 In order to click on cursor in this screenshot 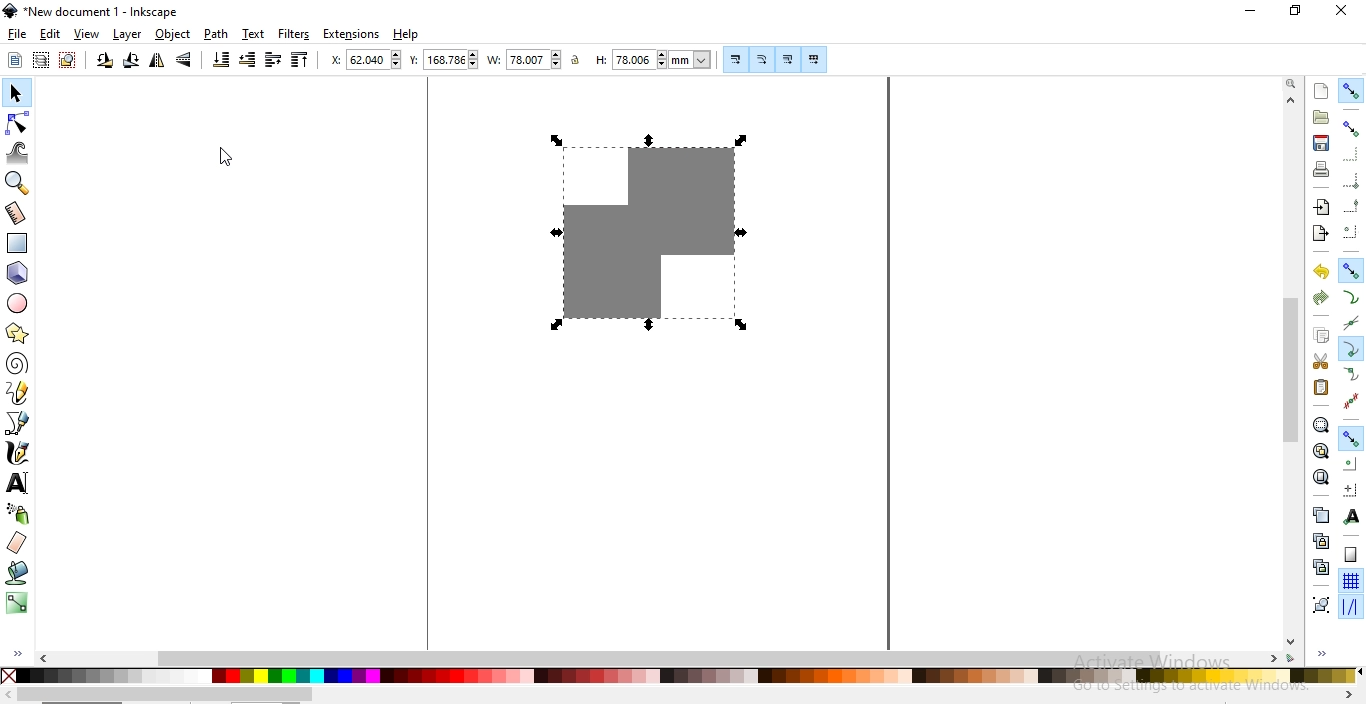, I will do `click(225, 159)`.